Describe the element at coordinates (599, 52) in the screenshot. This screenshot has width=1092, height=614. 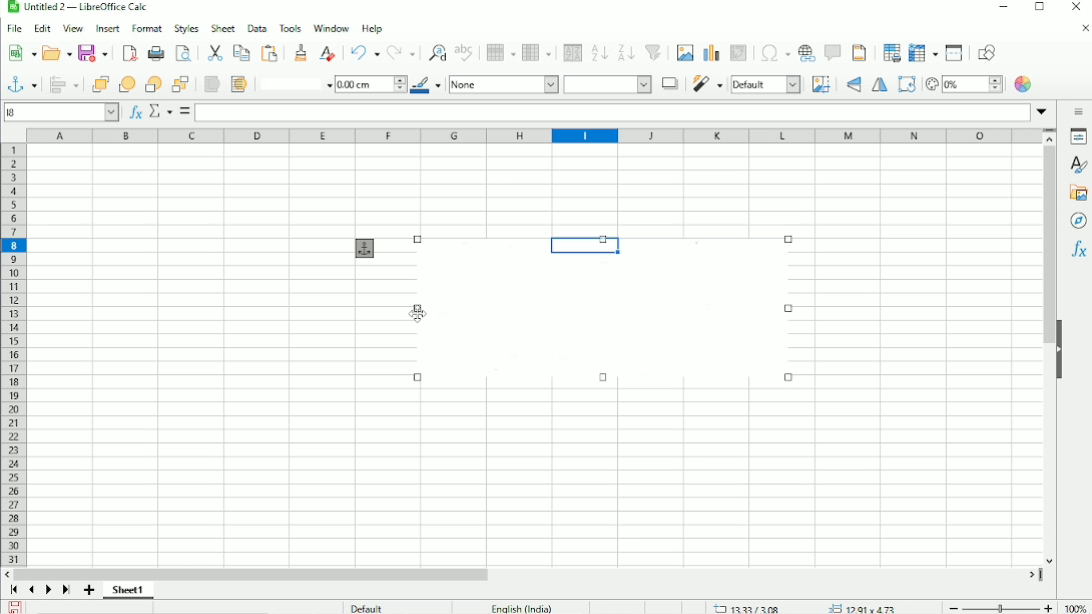
I see `Sort ascending` at that location.